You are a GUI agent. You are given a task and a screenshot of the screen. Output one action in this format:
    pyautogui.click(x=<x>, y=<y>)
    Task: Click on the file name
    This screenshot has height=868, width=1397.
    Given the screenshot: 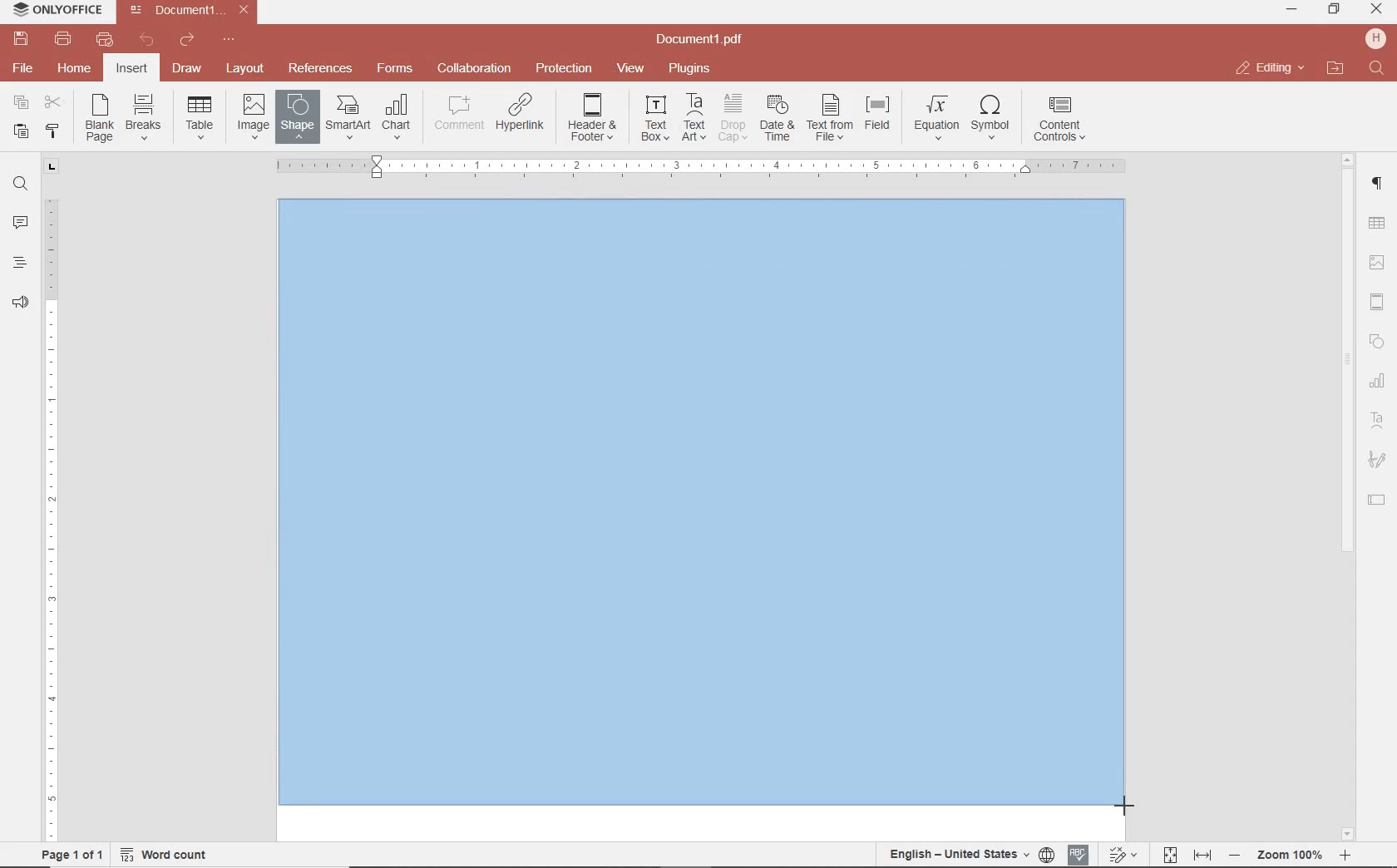 What is the action you would take?
    pyautogui.click(x=193, y=10)
    